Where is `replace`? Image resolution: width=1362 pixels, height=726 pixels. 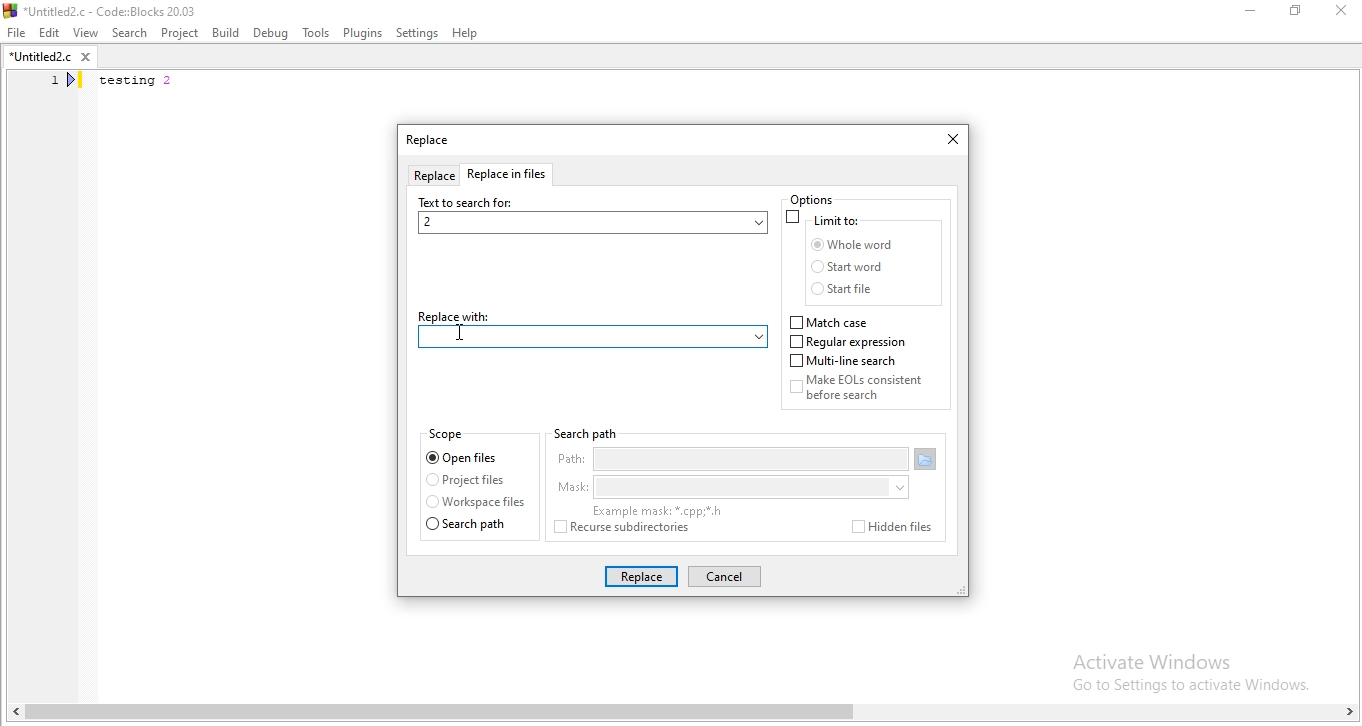
replace is located at coordinates (640, 576).